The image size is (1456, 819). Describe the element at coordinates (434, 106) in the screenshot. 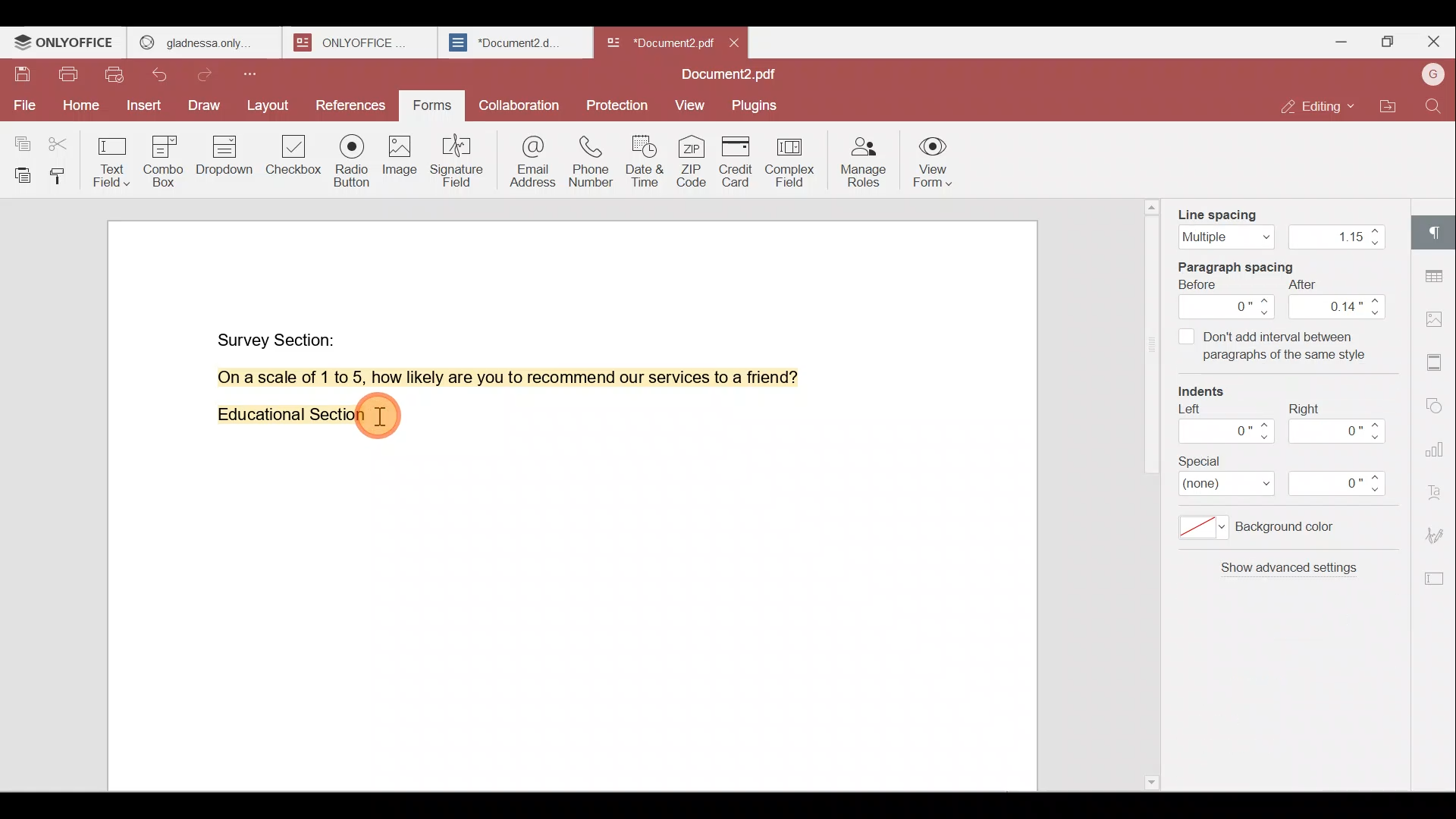

I see `Forms` at that location.